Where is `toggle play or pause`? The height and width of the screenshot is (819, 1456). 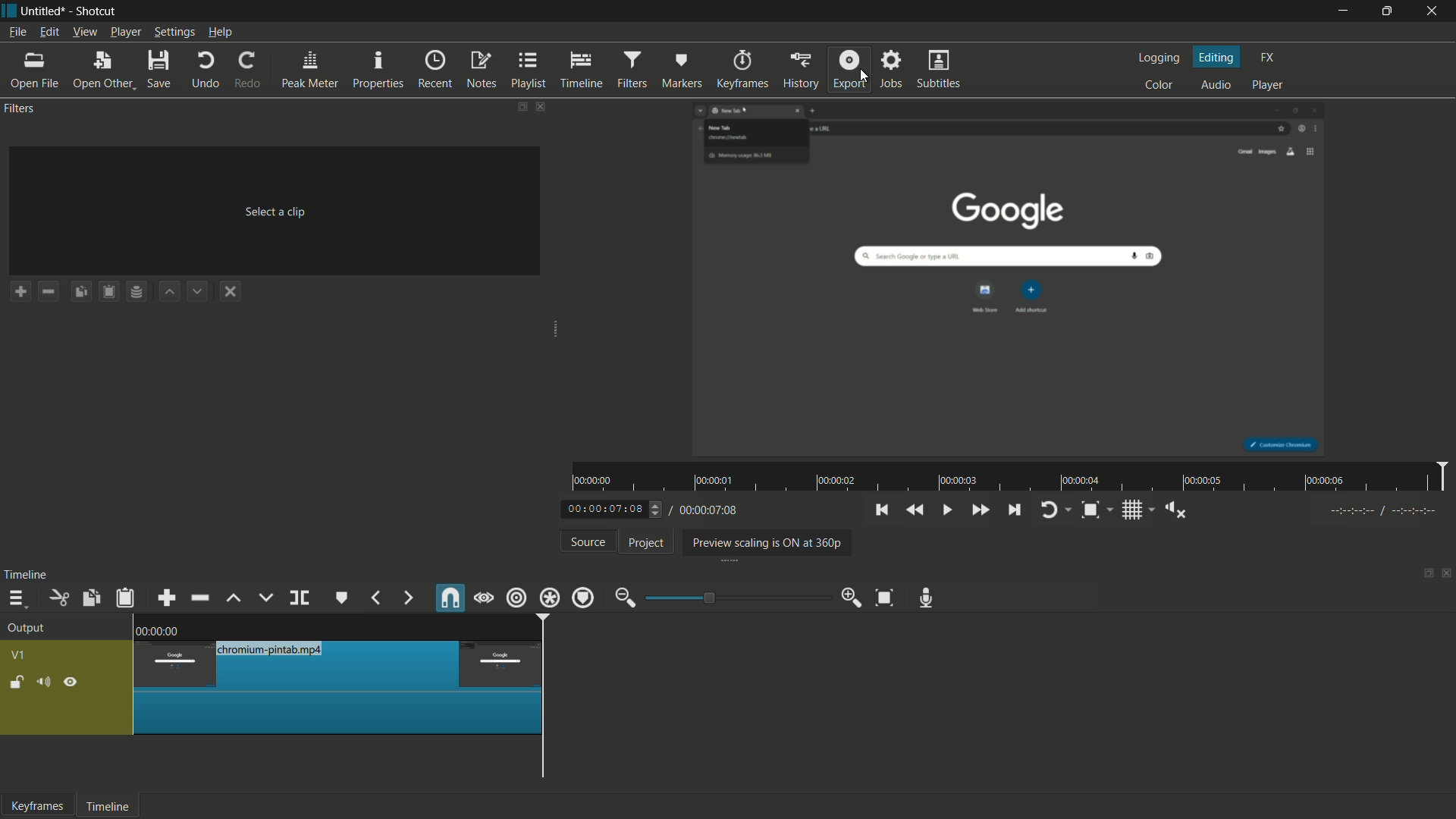
toggle play or pause is located at coordinates (946, 509).